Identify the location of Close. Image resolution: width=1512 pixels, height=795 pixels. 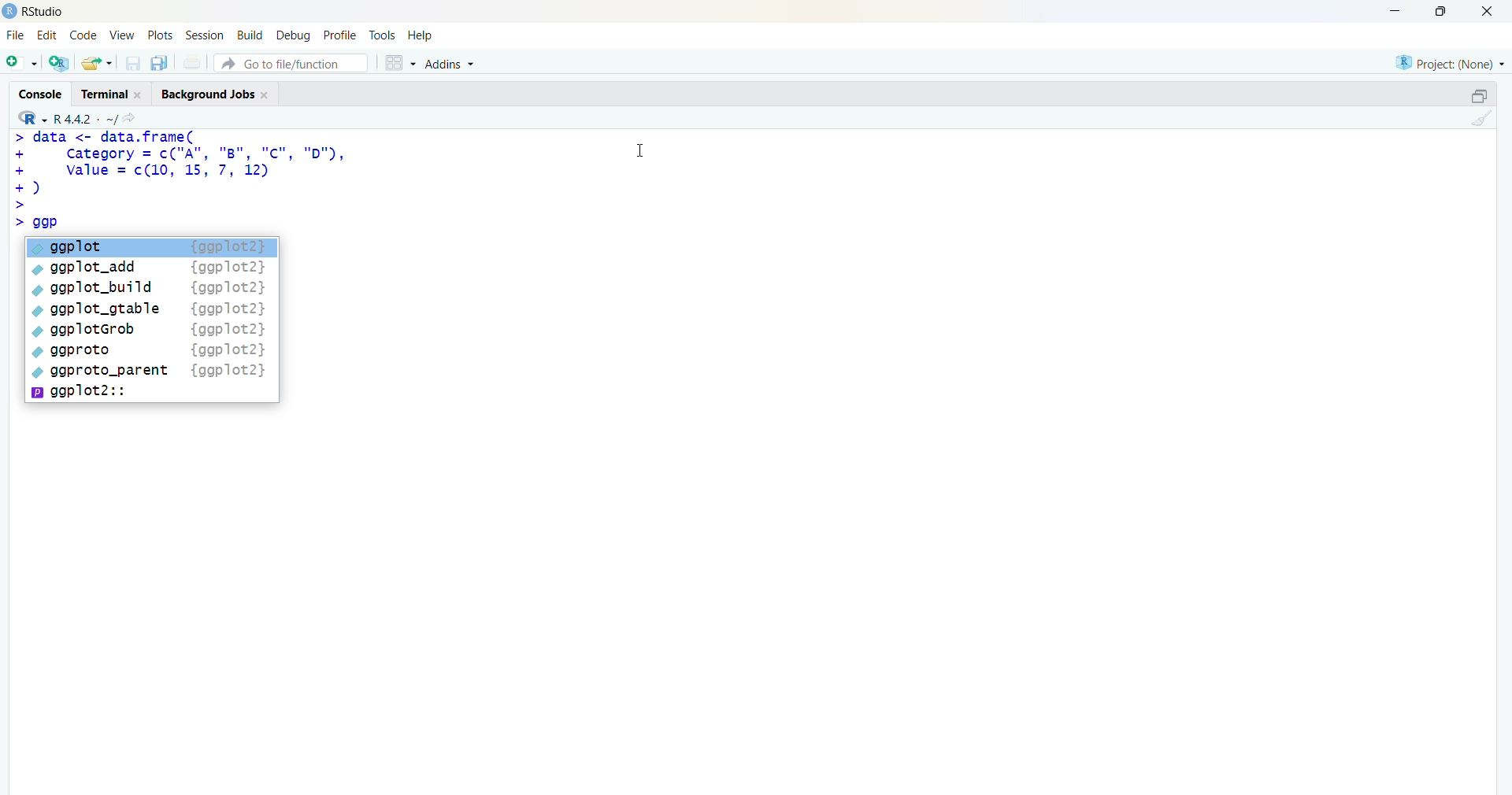
(1484, 11).